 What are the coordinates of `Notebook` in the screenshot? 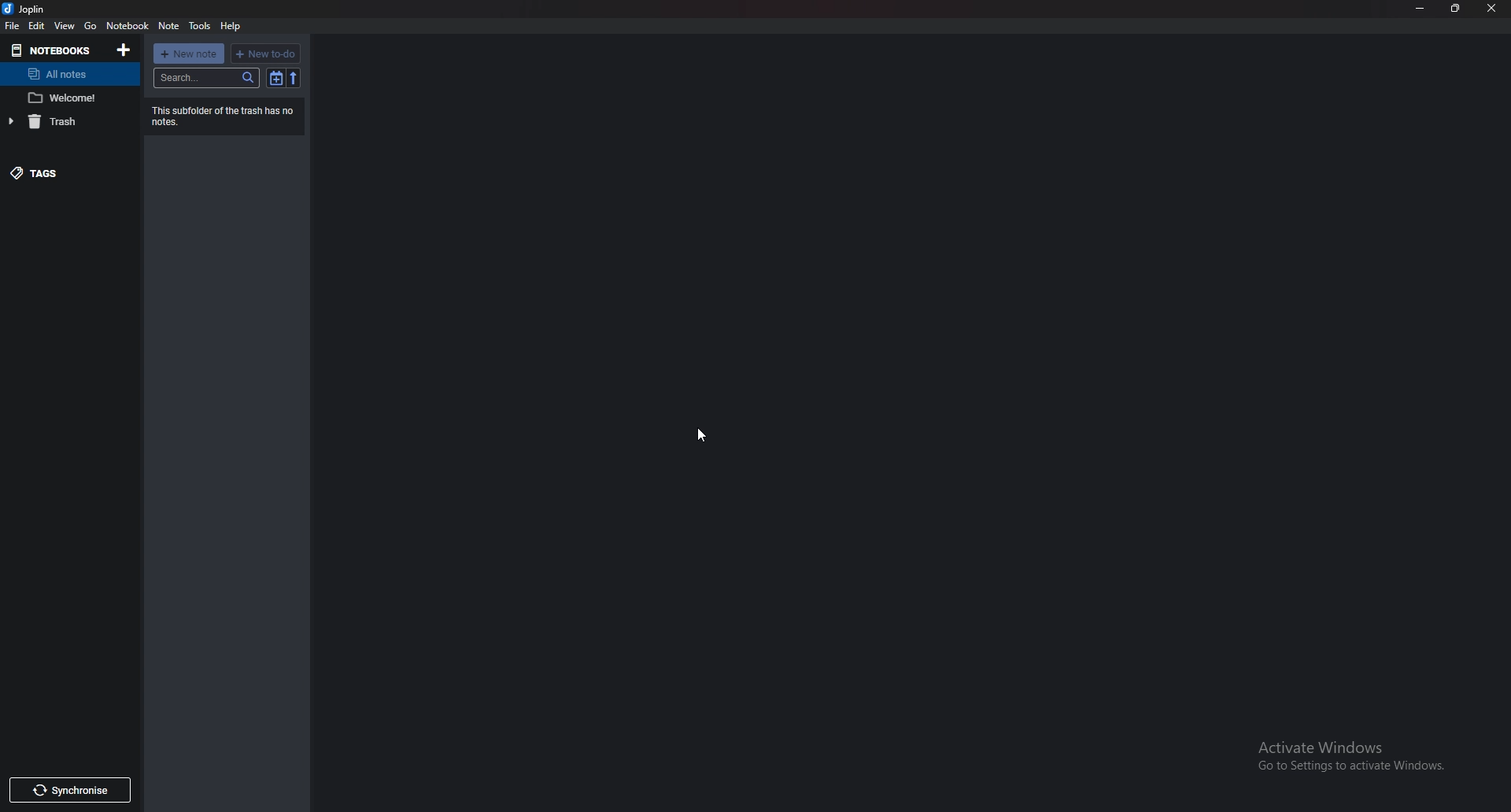 It's located at (128, 25).